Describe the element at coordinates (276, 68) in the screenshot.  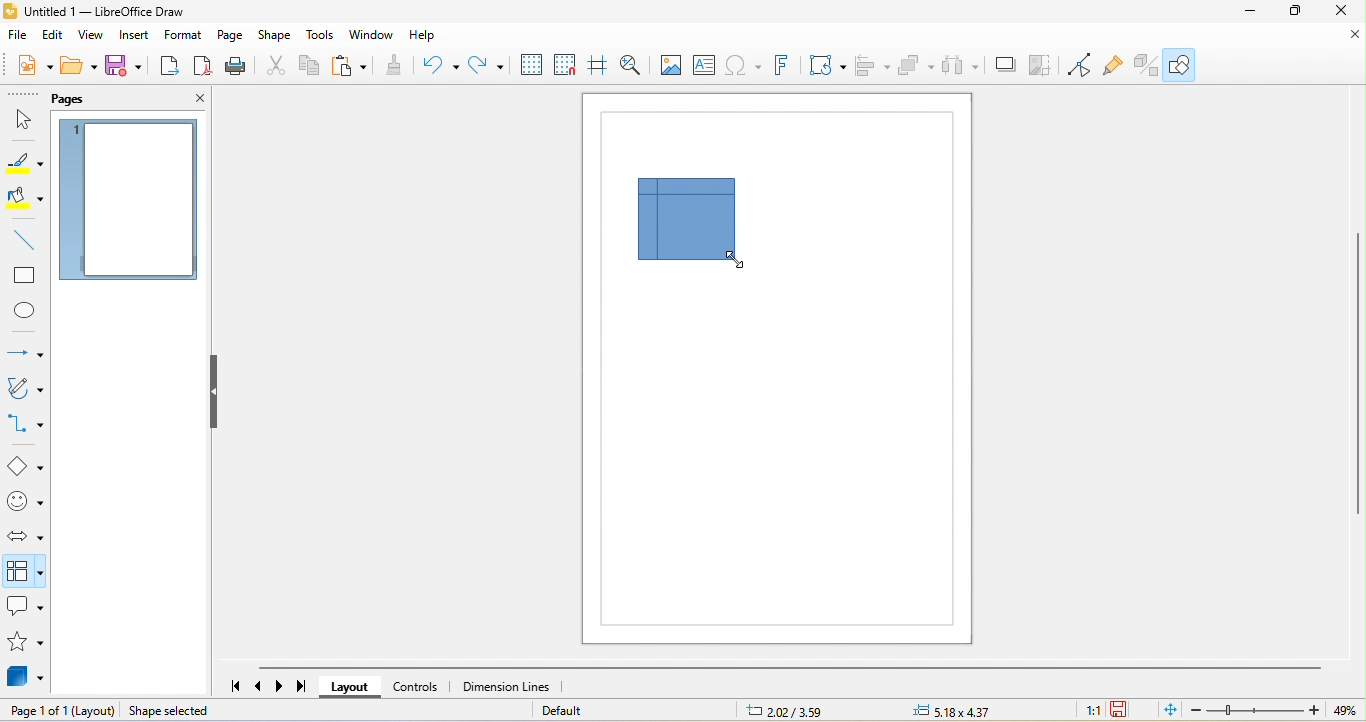
I see `cut` at that location.